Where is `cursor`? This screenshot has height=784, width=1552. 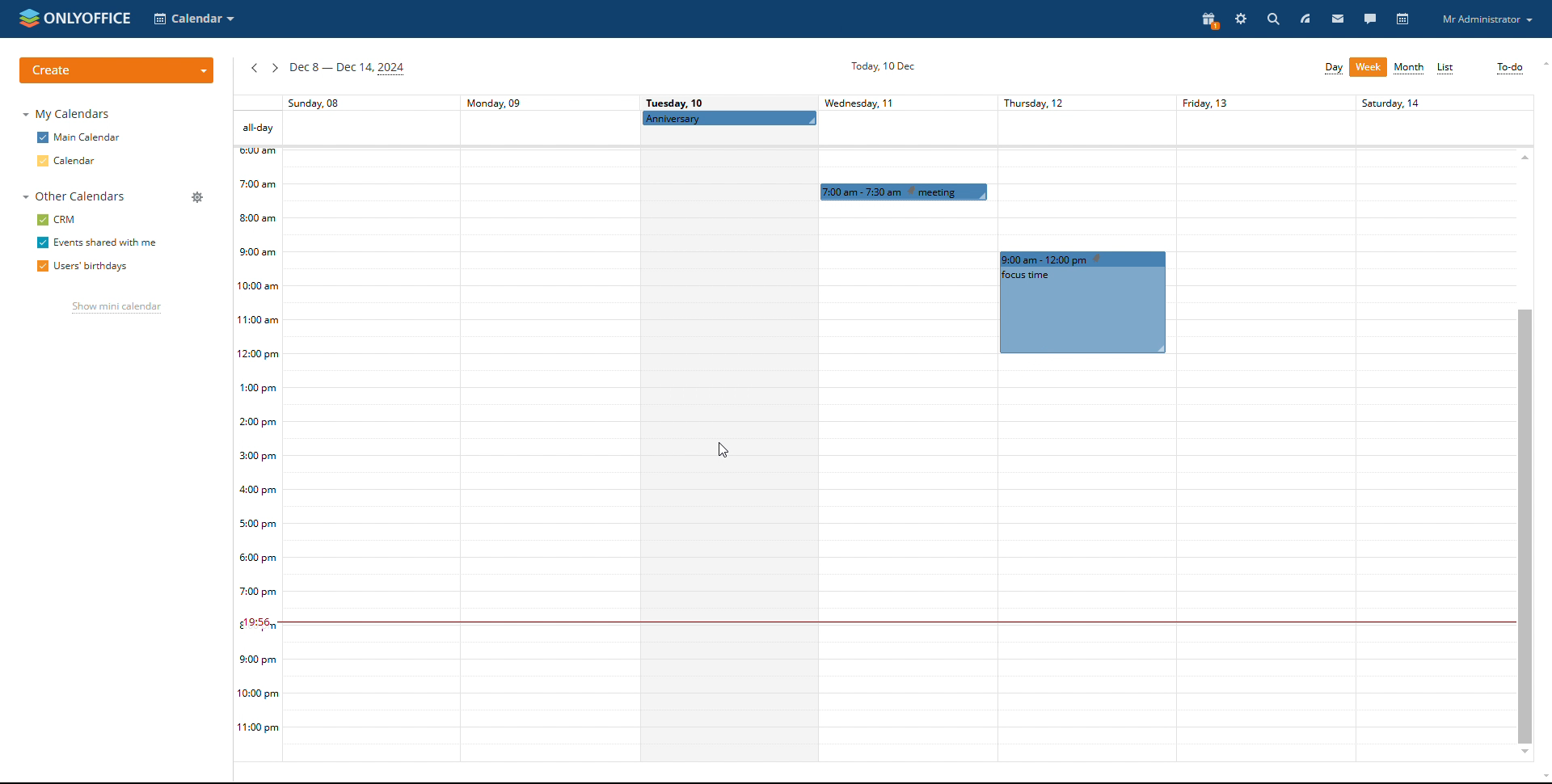 cursor is located at coordinates (731, 450).